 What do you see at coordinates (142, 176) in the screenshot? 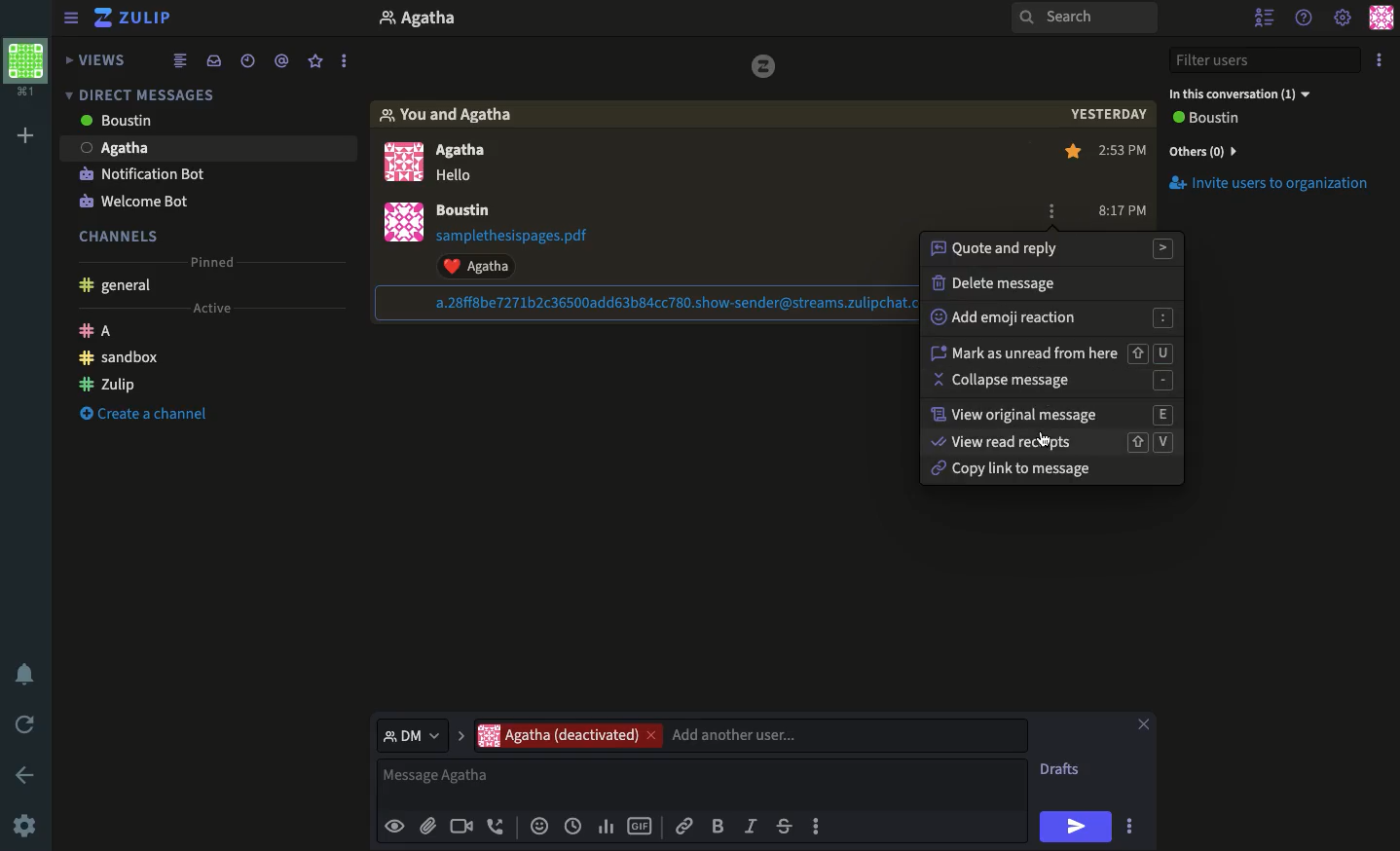
I see `Notification bot` at bounding box center [142, 176].